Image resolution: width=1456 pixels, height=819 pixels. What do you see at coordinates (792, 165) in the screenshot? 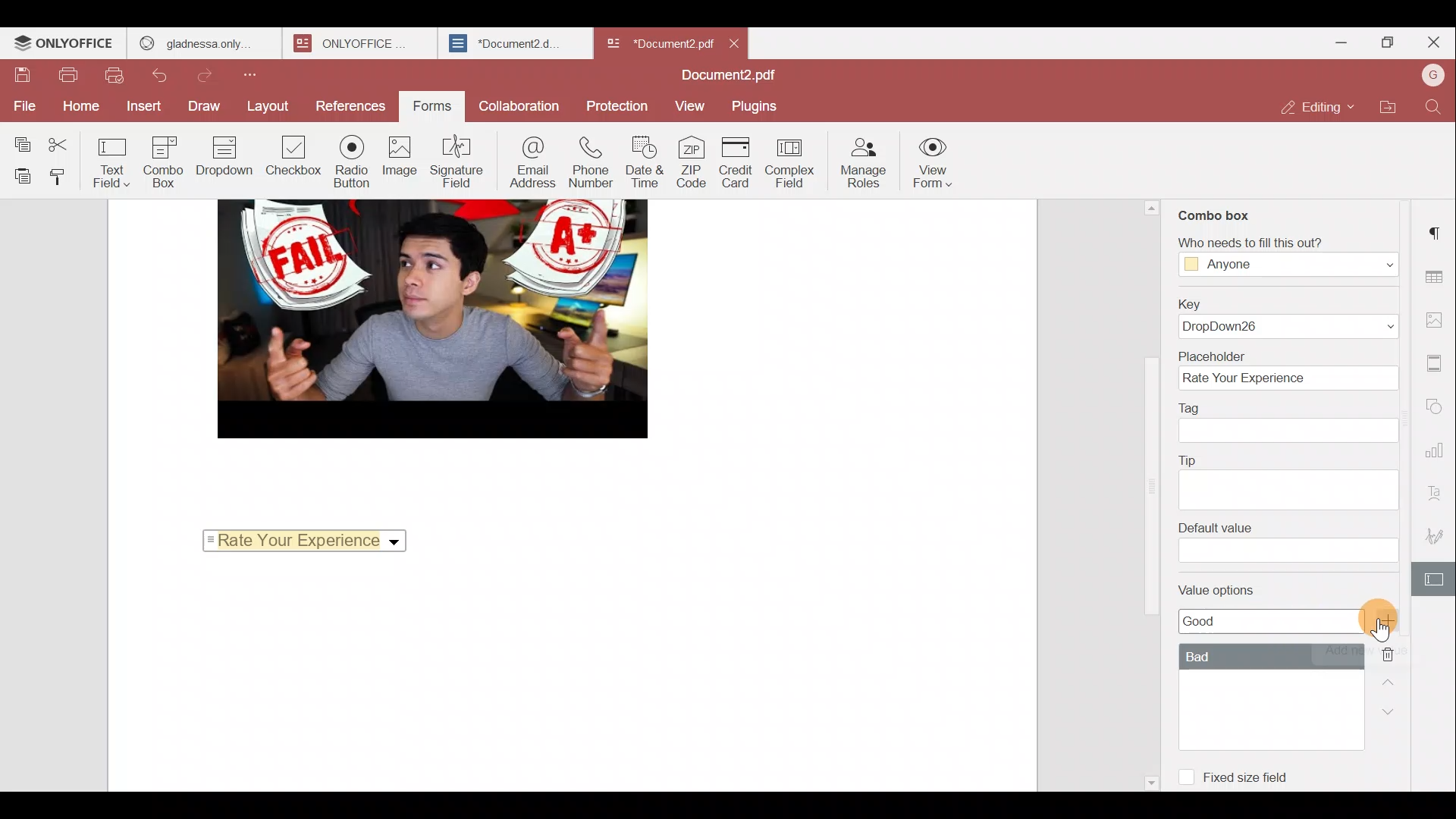
I see `Complex field` at bounding box center [792, 165].